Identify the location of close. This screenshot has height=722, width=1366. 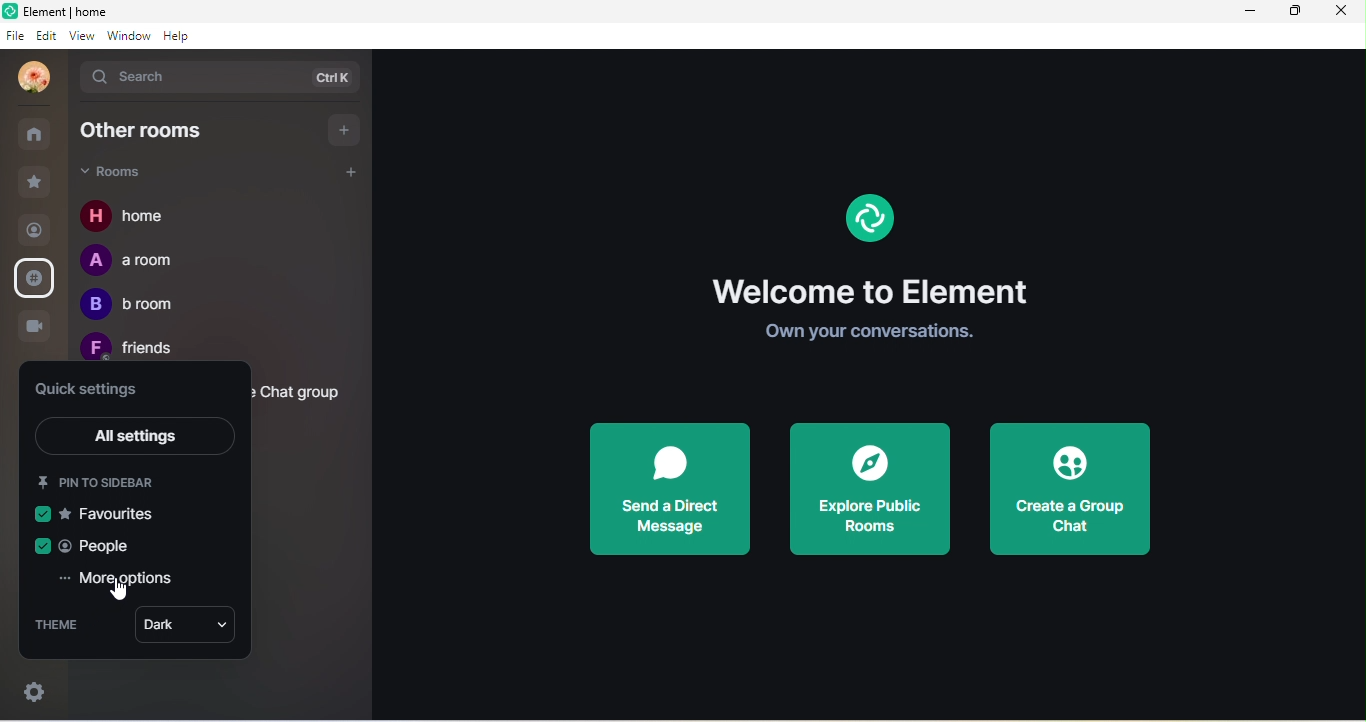
(1344, 13).